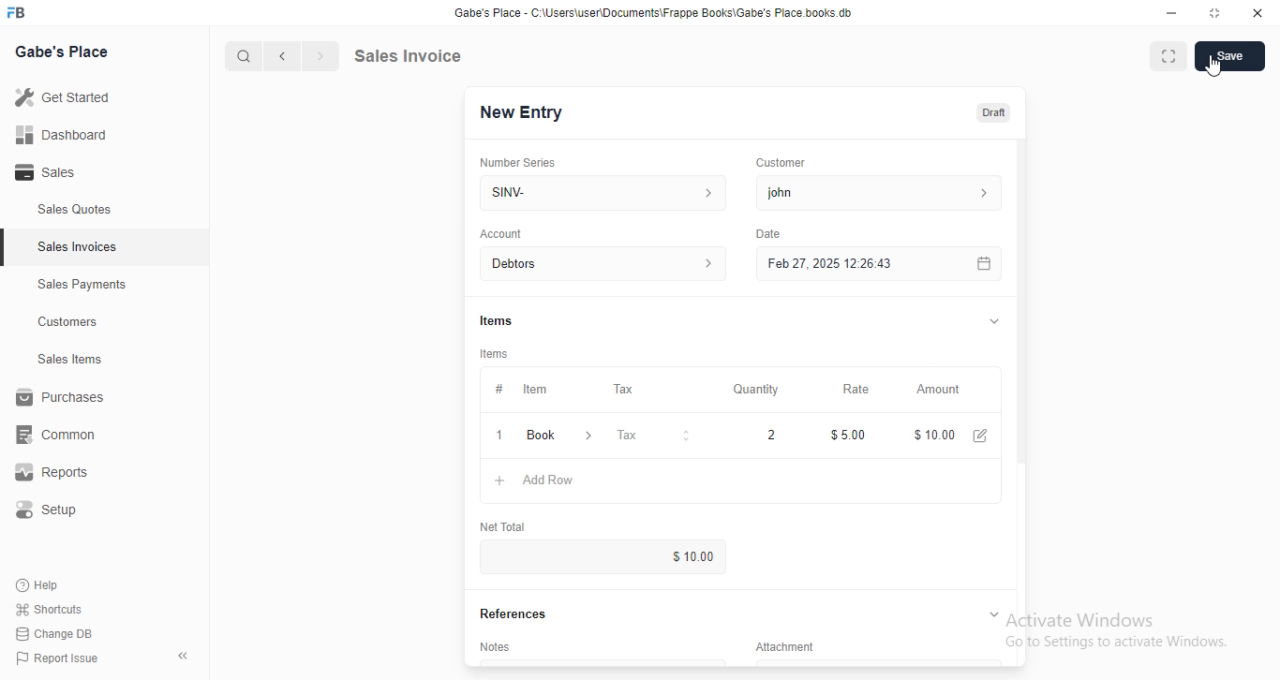  What do you see at coordinates (957, 433) in the screenshot?
I see `$10.00` at bounding box center [957, 433].